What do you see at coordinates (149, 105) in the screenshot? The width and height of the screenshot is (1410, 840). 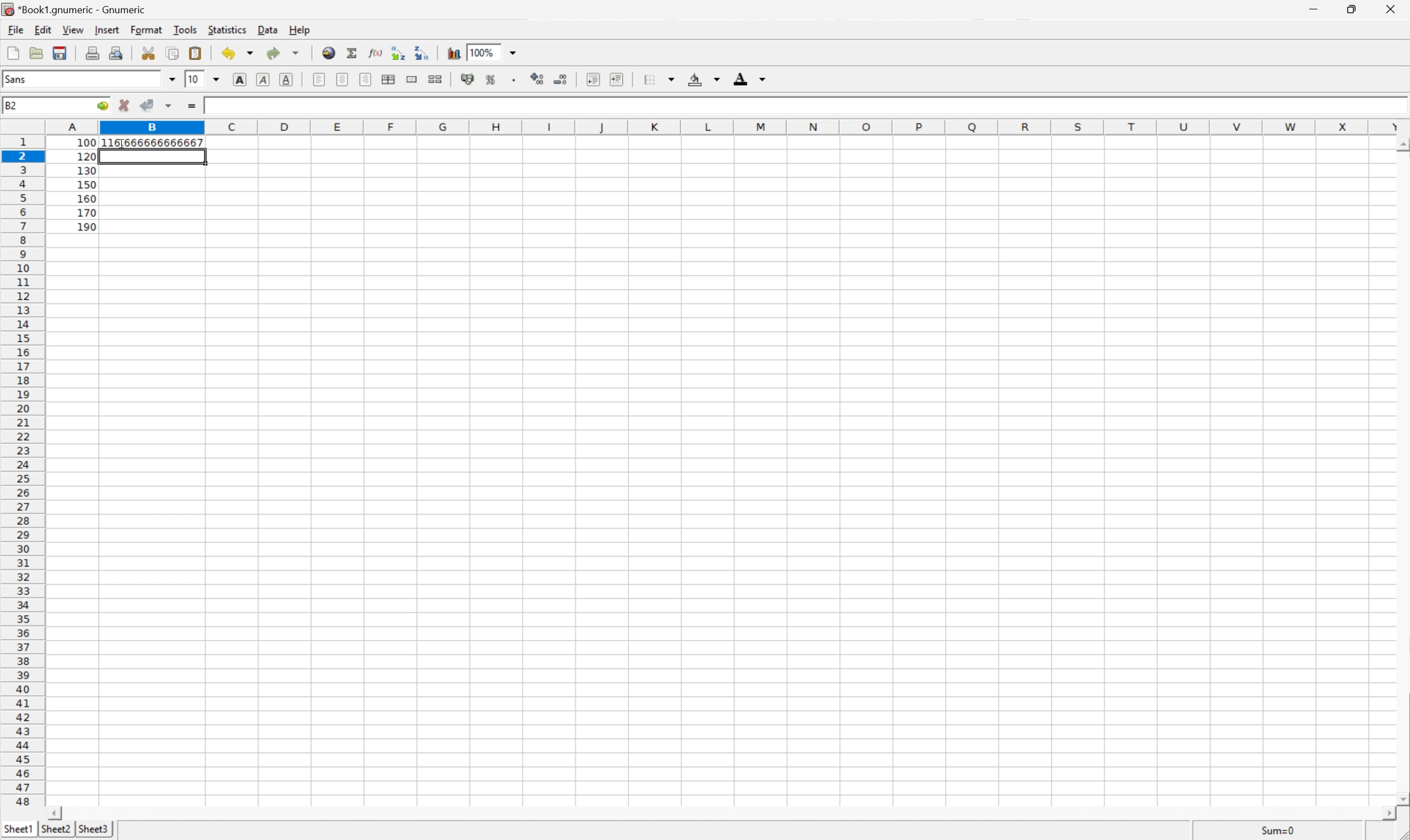 I see `Accept changes` at bounding box center [149, 105].